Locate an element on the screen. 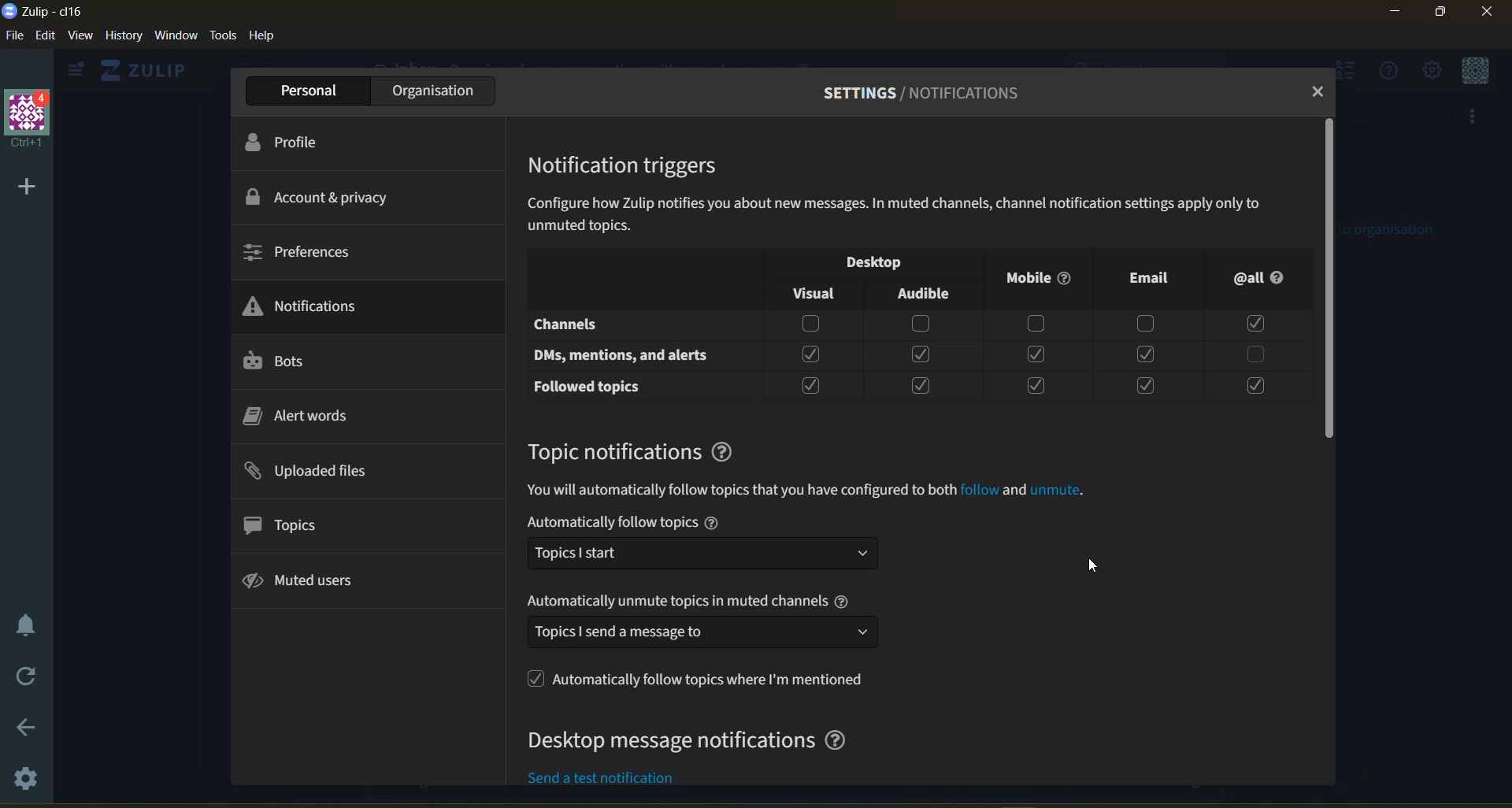 Image resolution: width=1512 pixels, height=808 pixels. view is located at coordinates (83, 37).